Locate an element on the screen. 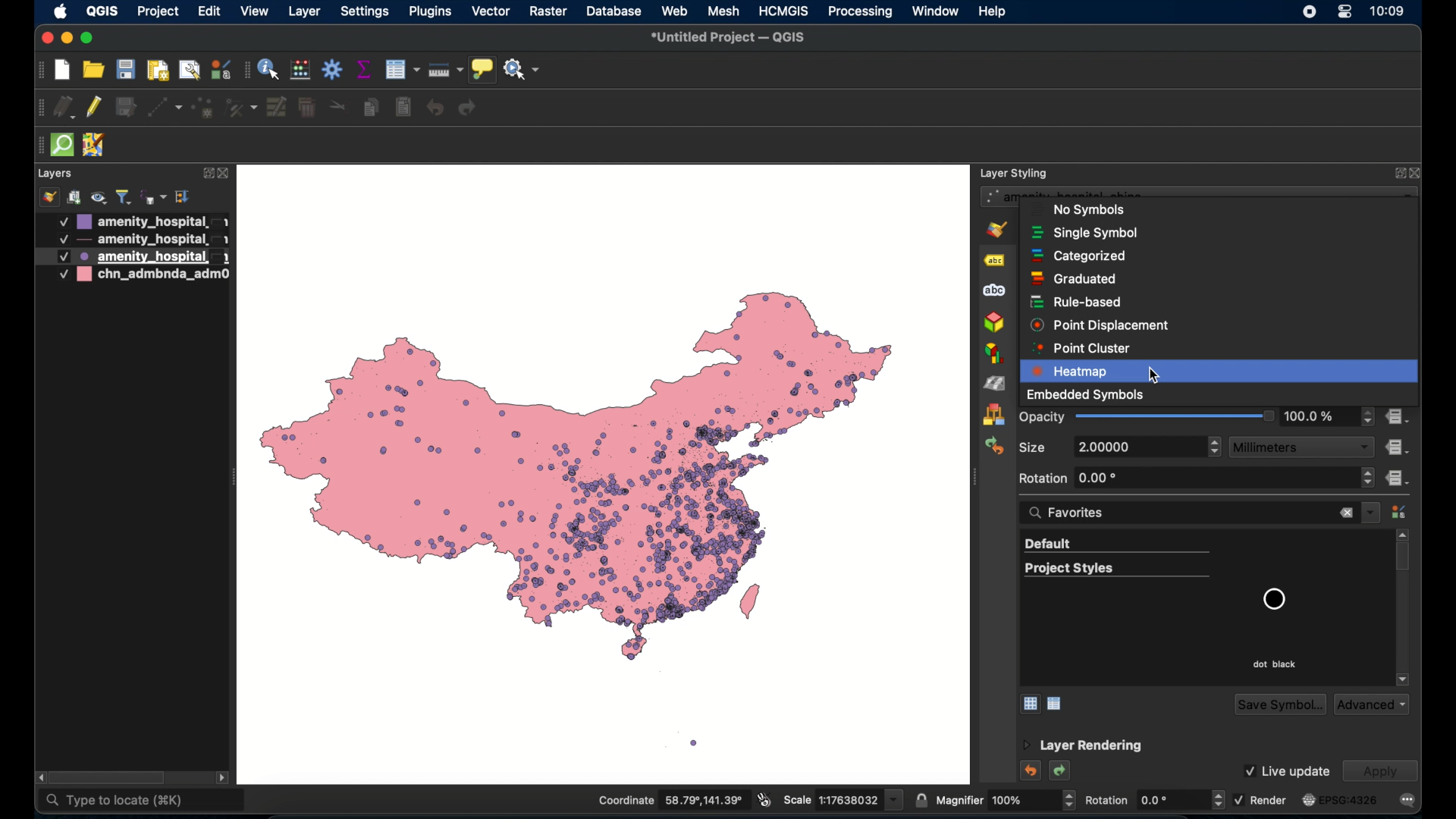 The height and width of the screenshot is (819, 1456). single symbol is located at coordinates (1084, 233).